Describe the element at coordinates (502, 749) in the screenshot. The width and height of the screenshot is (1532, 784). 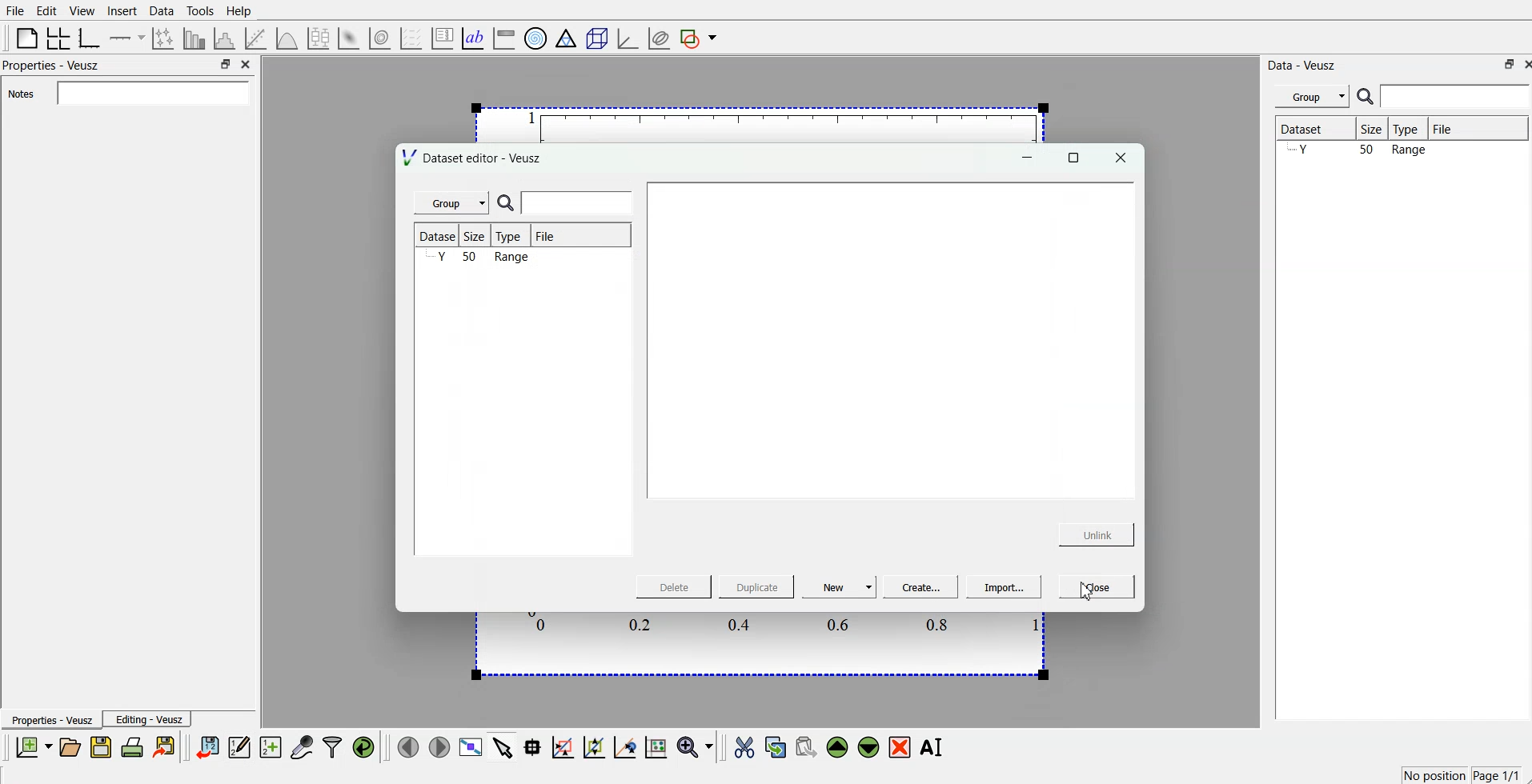
I see `select items` at that location.